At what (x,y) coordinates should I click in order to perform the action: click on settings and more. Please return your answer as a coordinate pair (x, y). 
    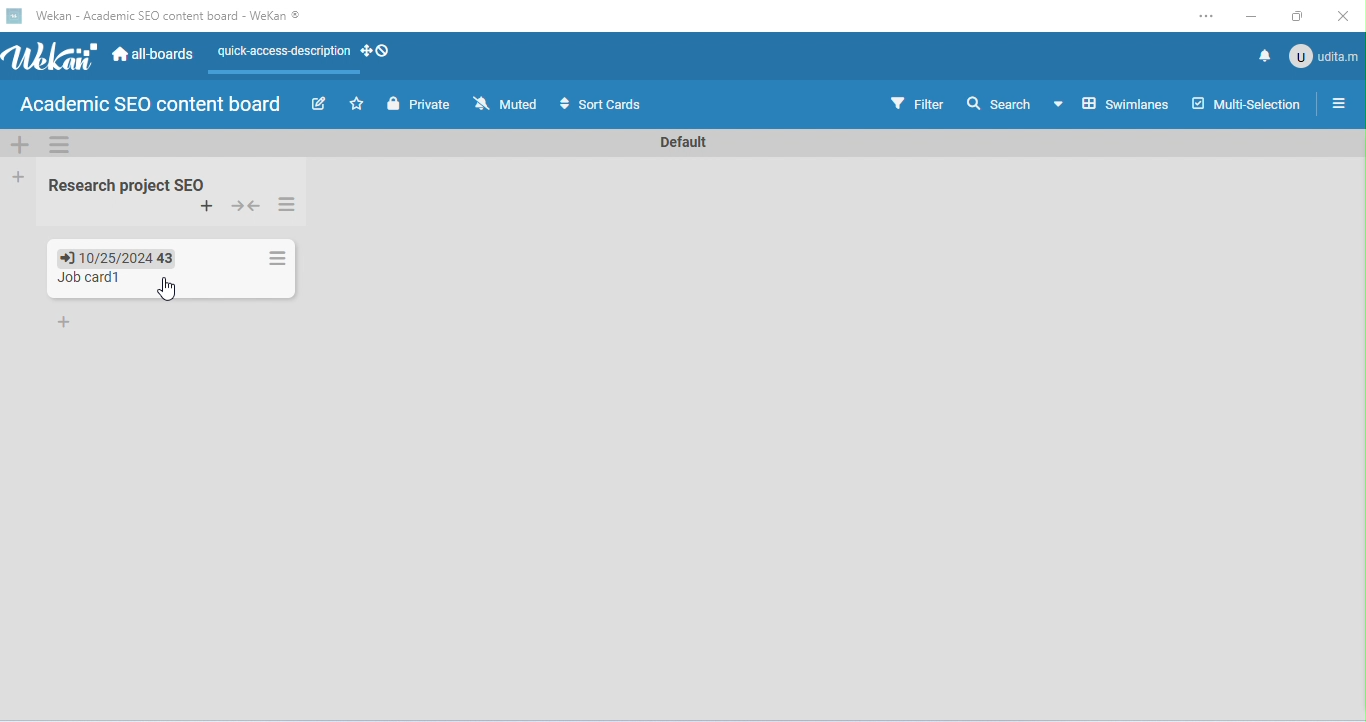
    Looking at the image, I should click on (1205, 18).